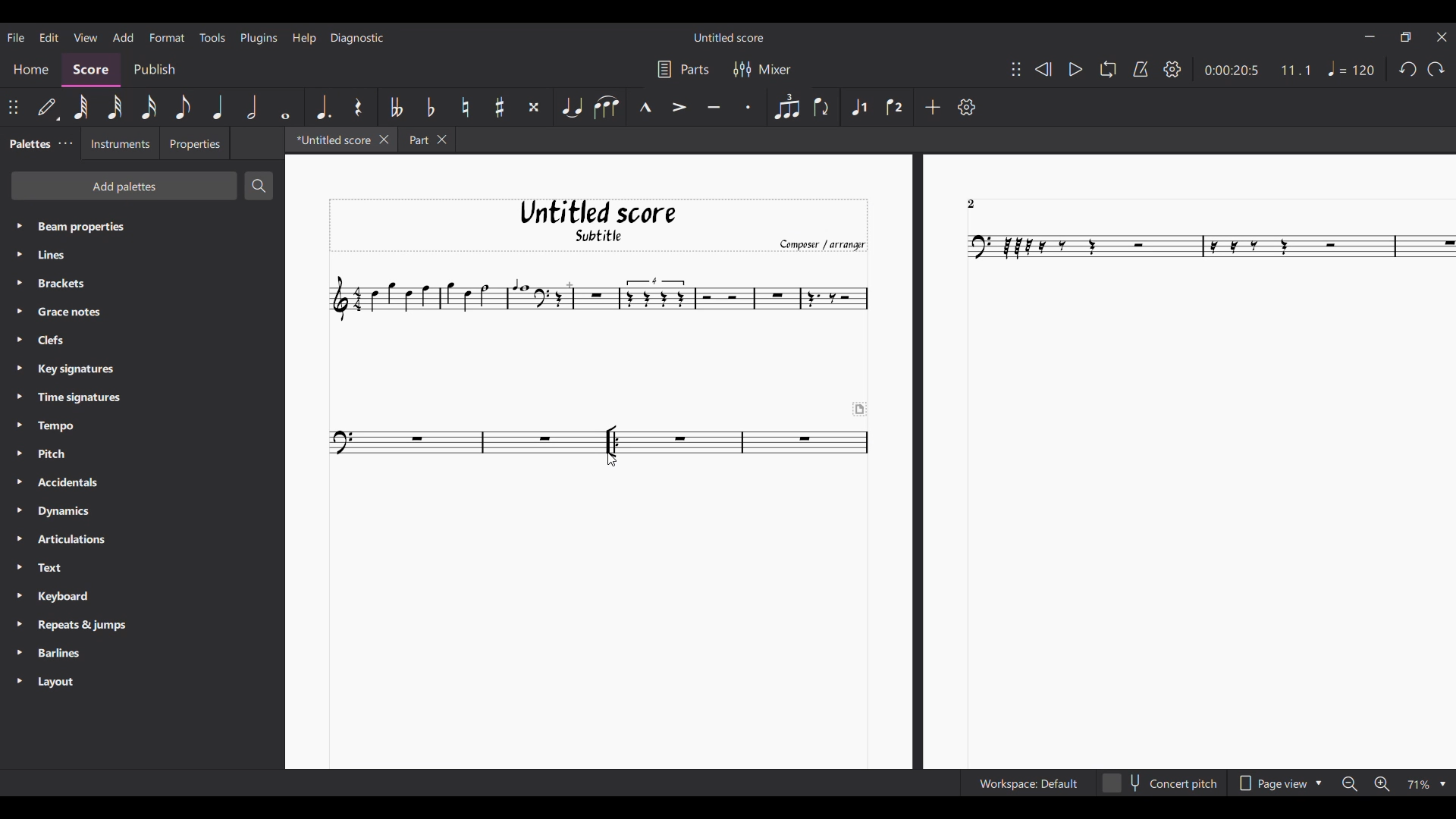 The image size is (1456, 819). Describe the element at coordinates (359, 108) in the screenshot. I see `Rest` at that location.